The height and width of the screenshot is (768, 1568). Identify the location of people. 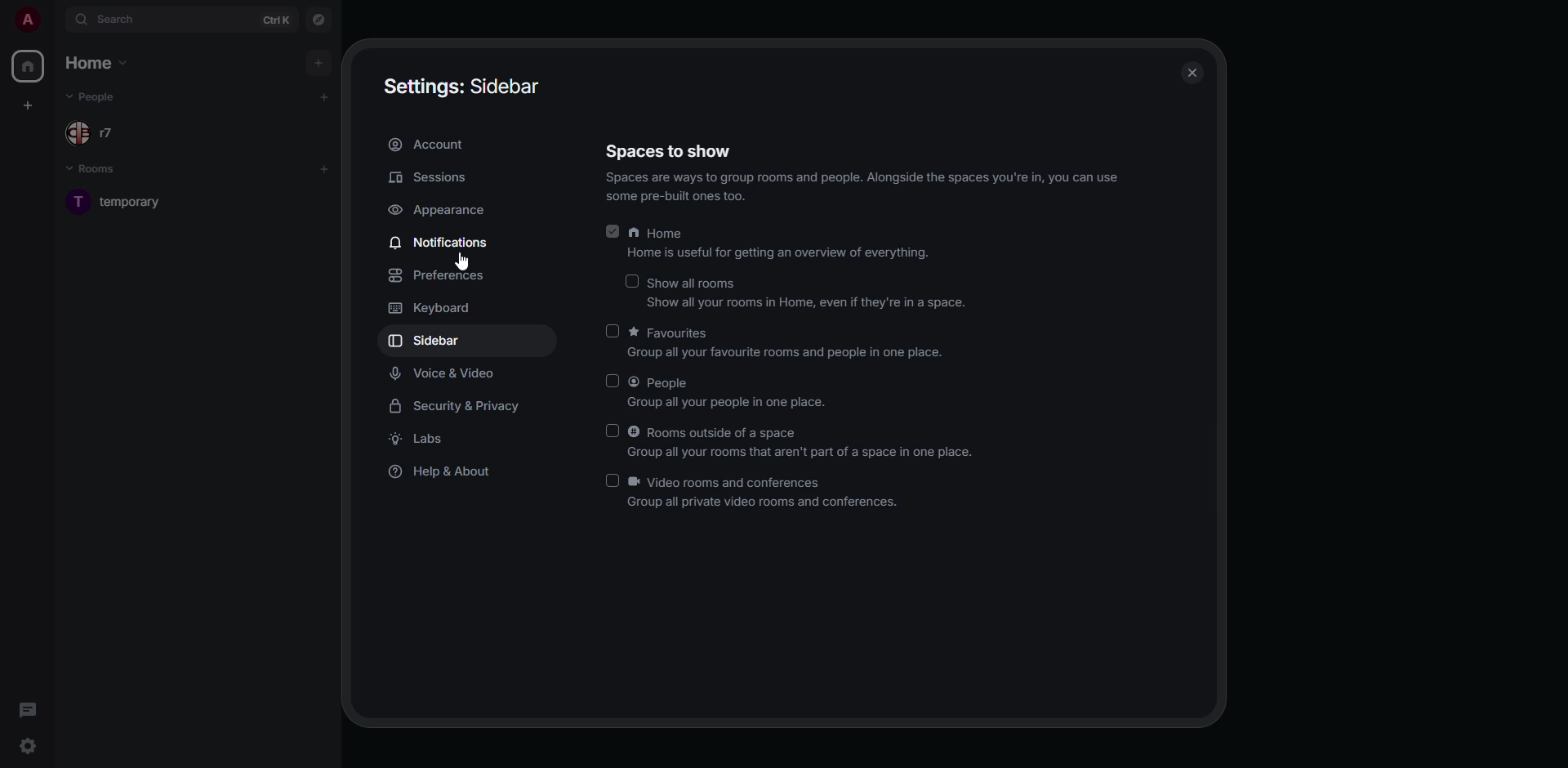
(101, 96).